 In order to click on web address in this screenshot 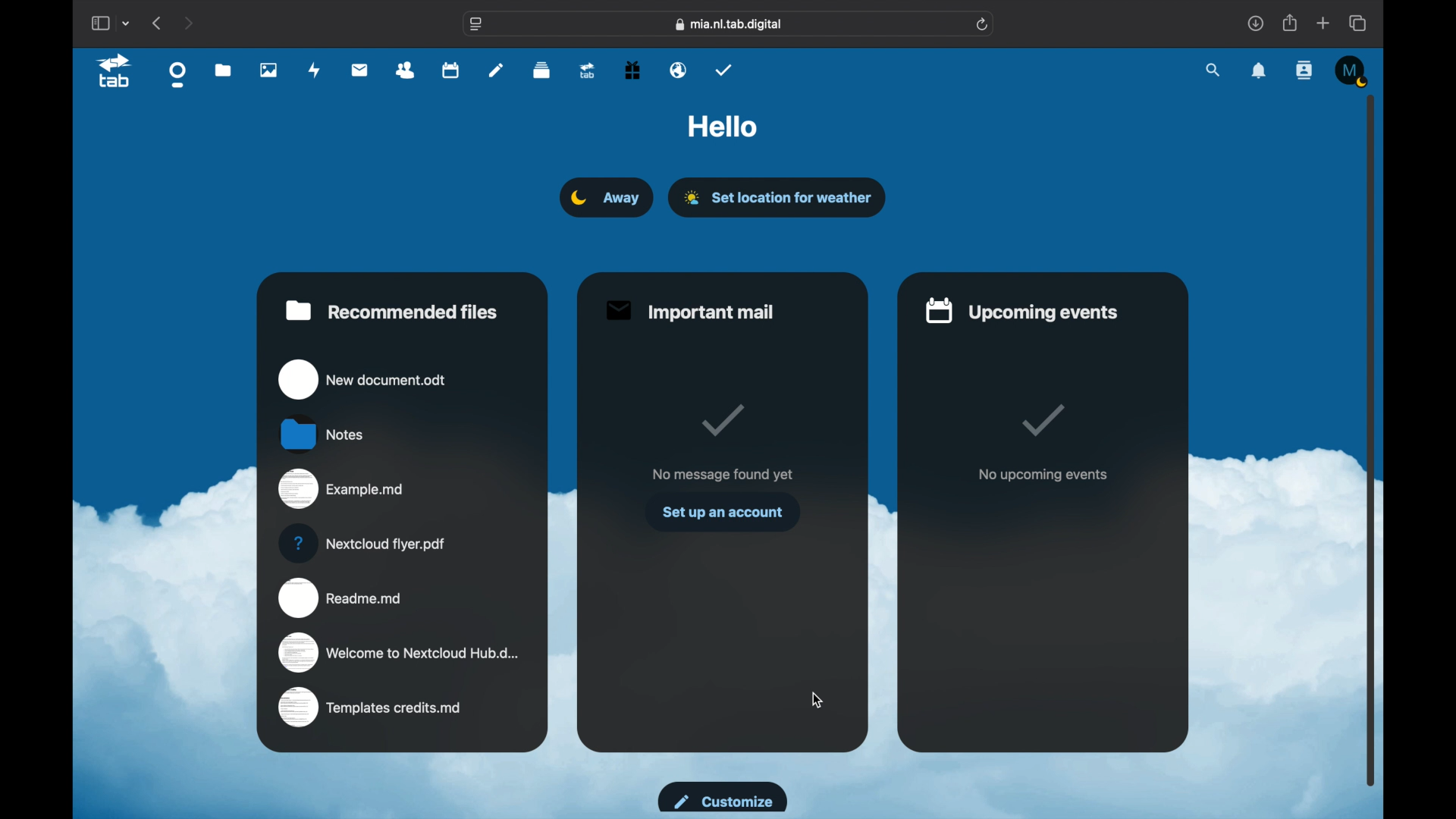, I will do `click(729, 24)`.